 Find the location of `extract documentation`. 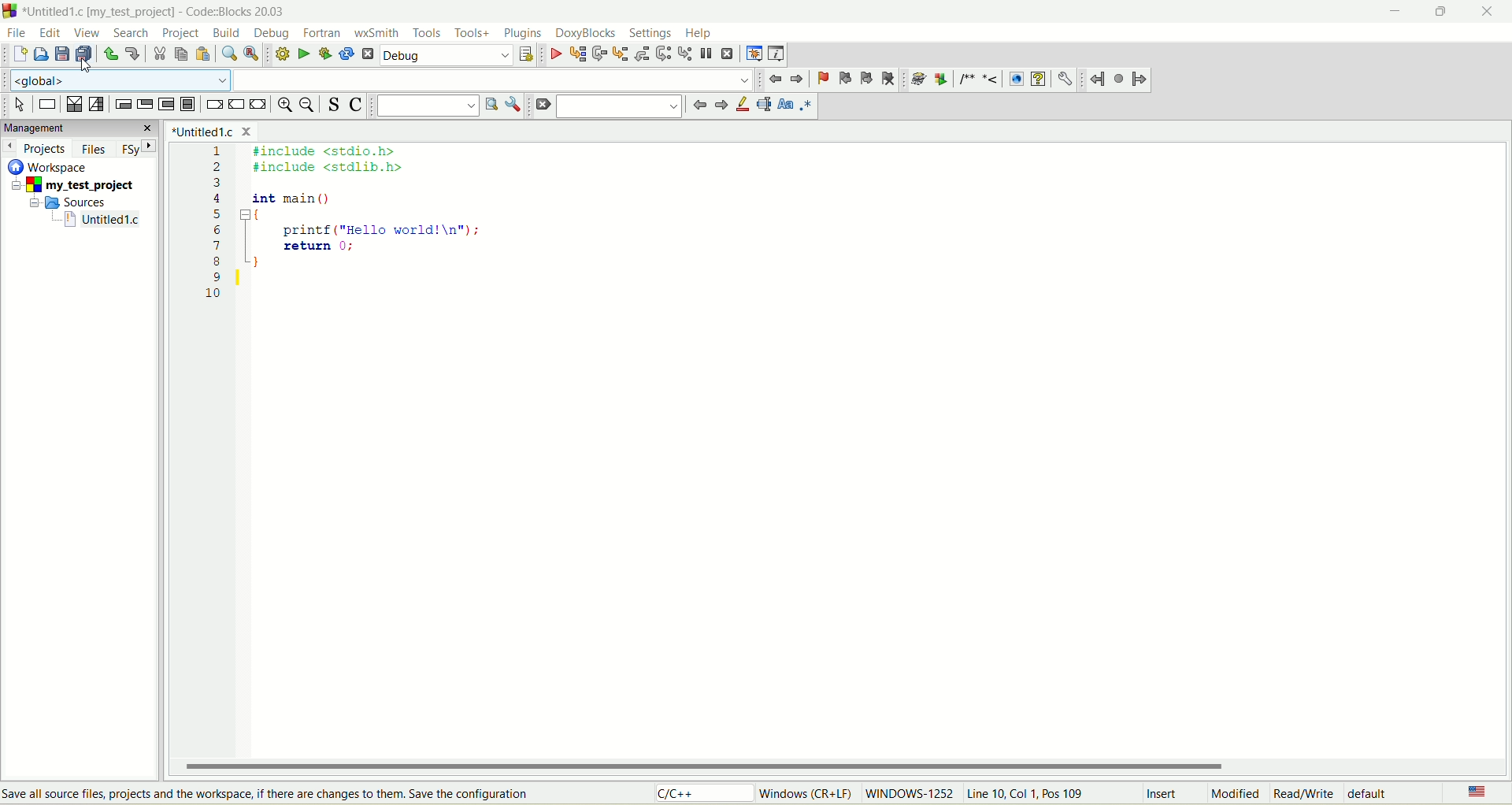

extract documentation is located at coordinates (943, 79).